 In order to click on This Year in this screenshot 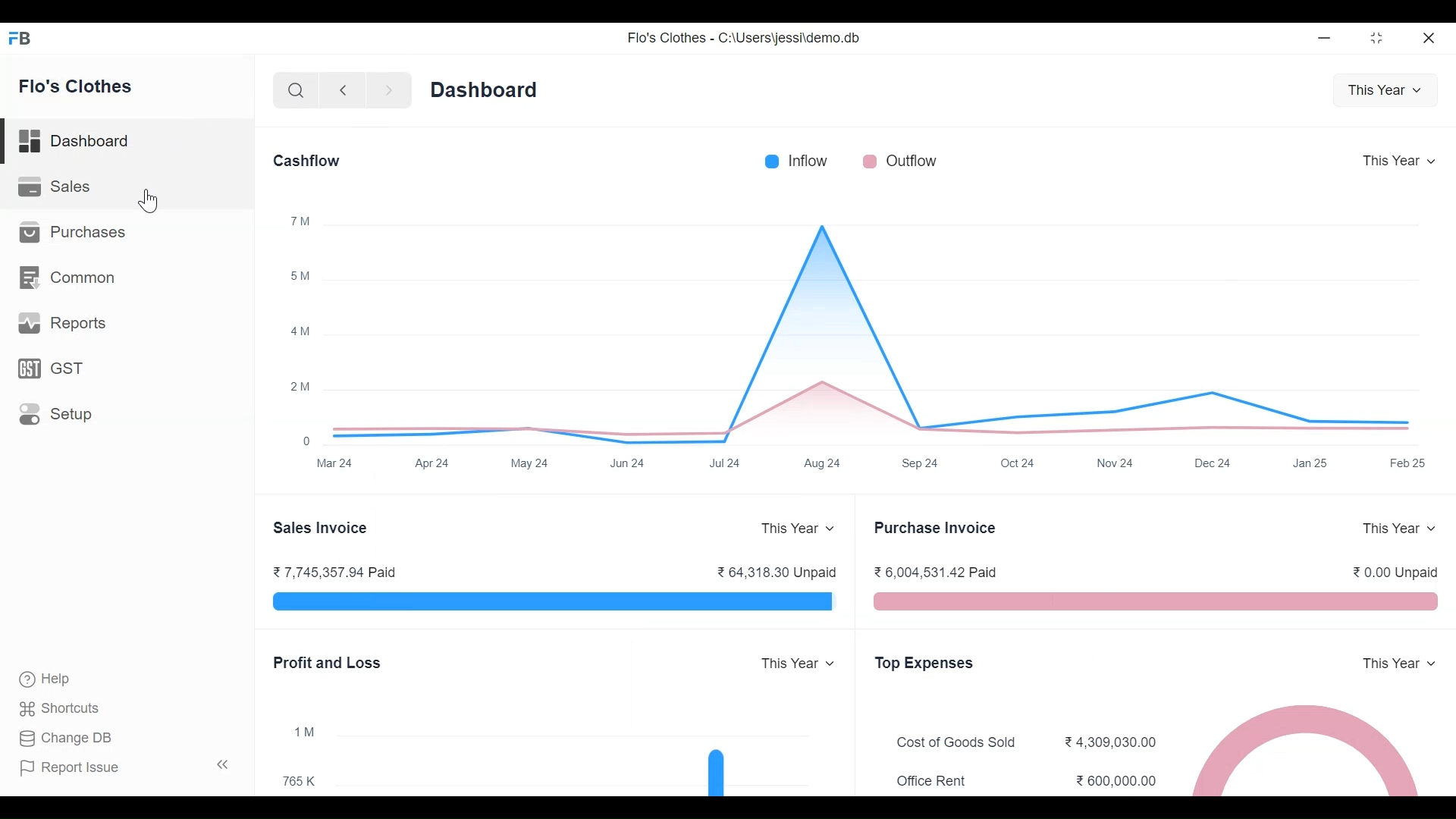, I will do `click(799, 529)`.